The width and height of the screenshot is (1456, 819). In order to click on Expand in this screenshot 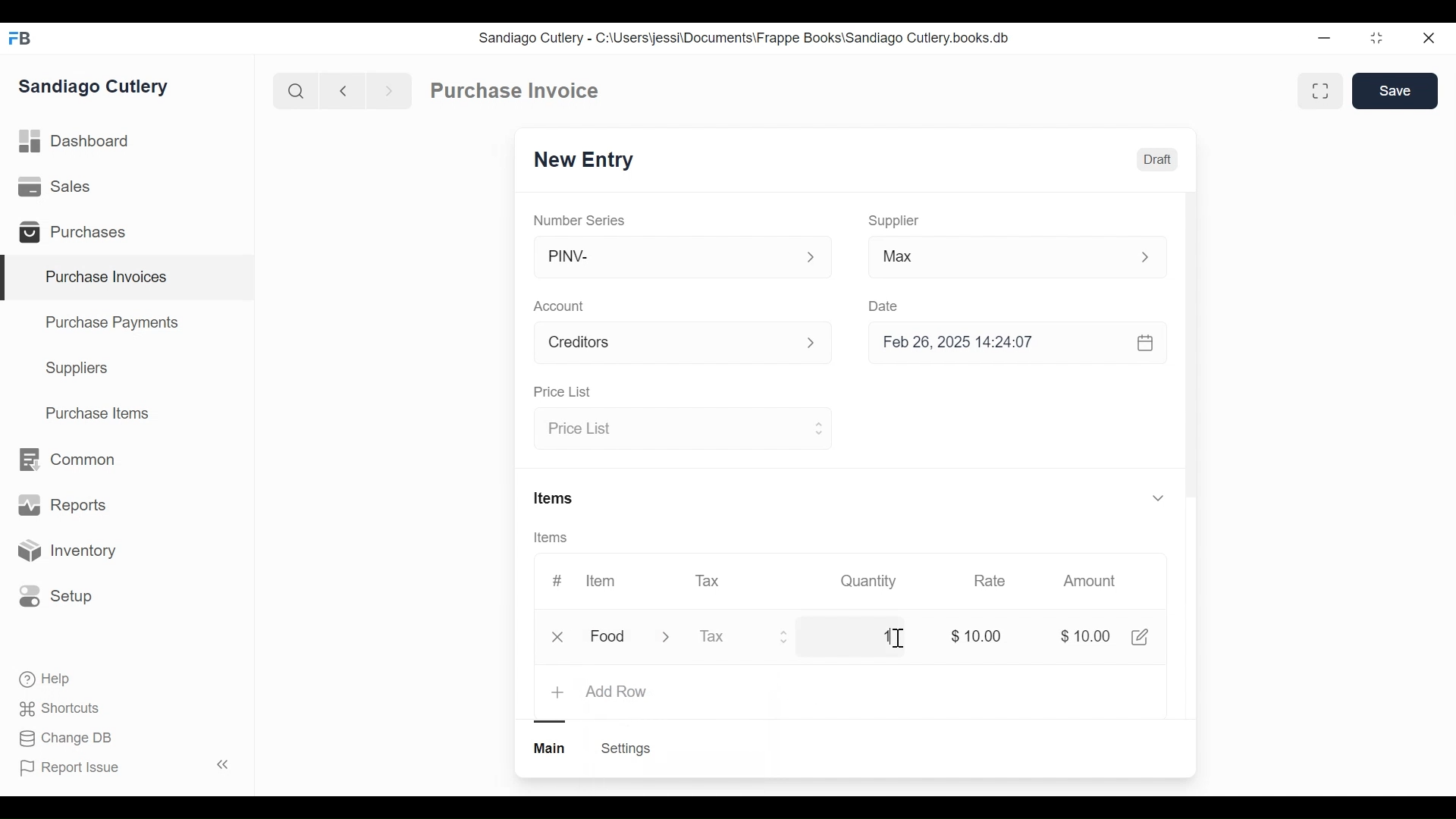, I will do `click(785, 636)`.